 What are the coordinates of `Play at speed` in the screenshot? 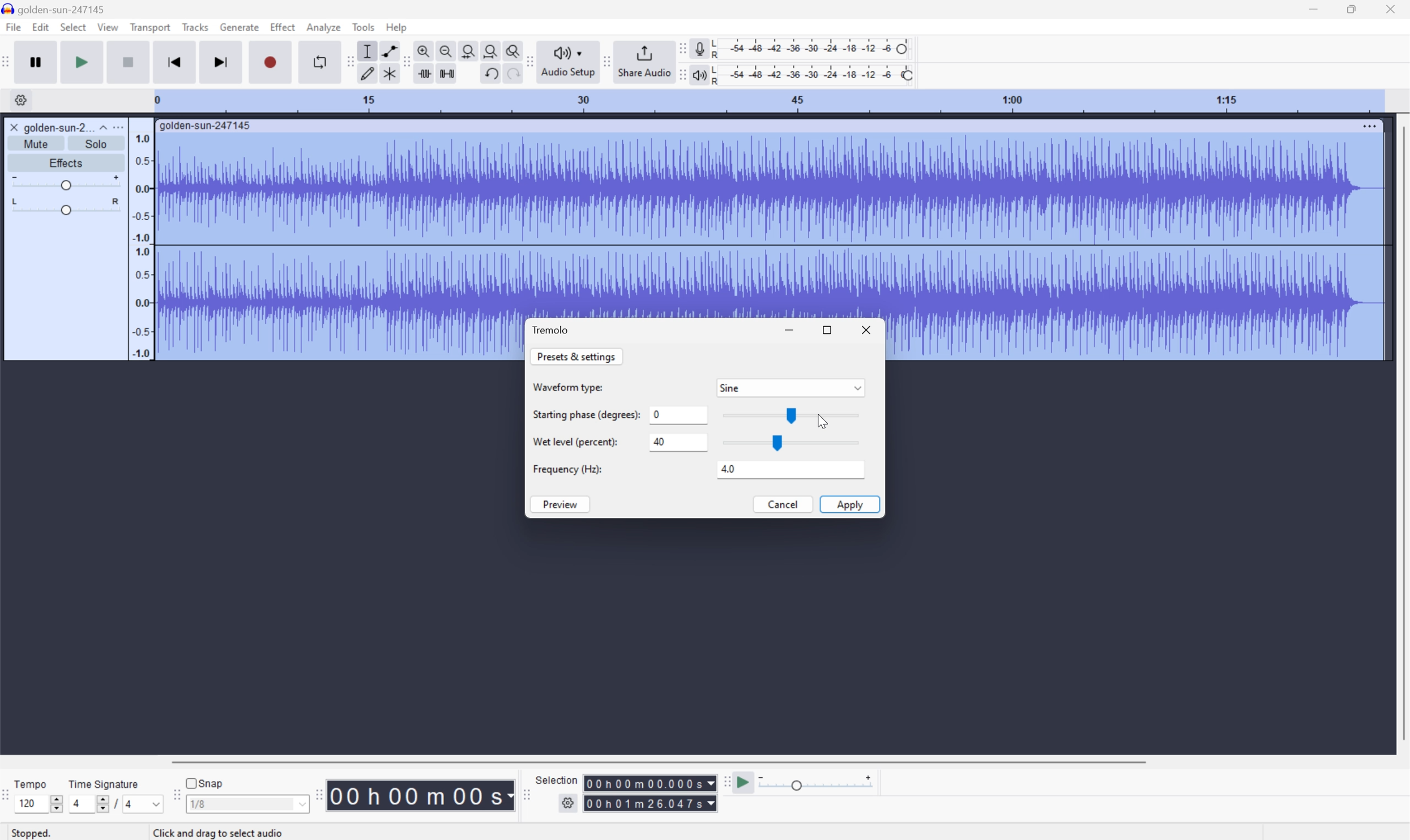 It's located at (746, 781).